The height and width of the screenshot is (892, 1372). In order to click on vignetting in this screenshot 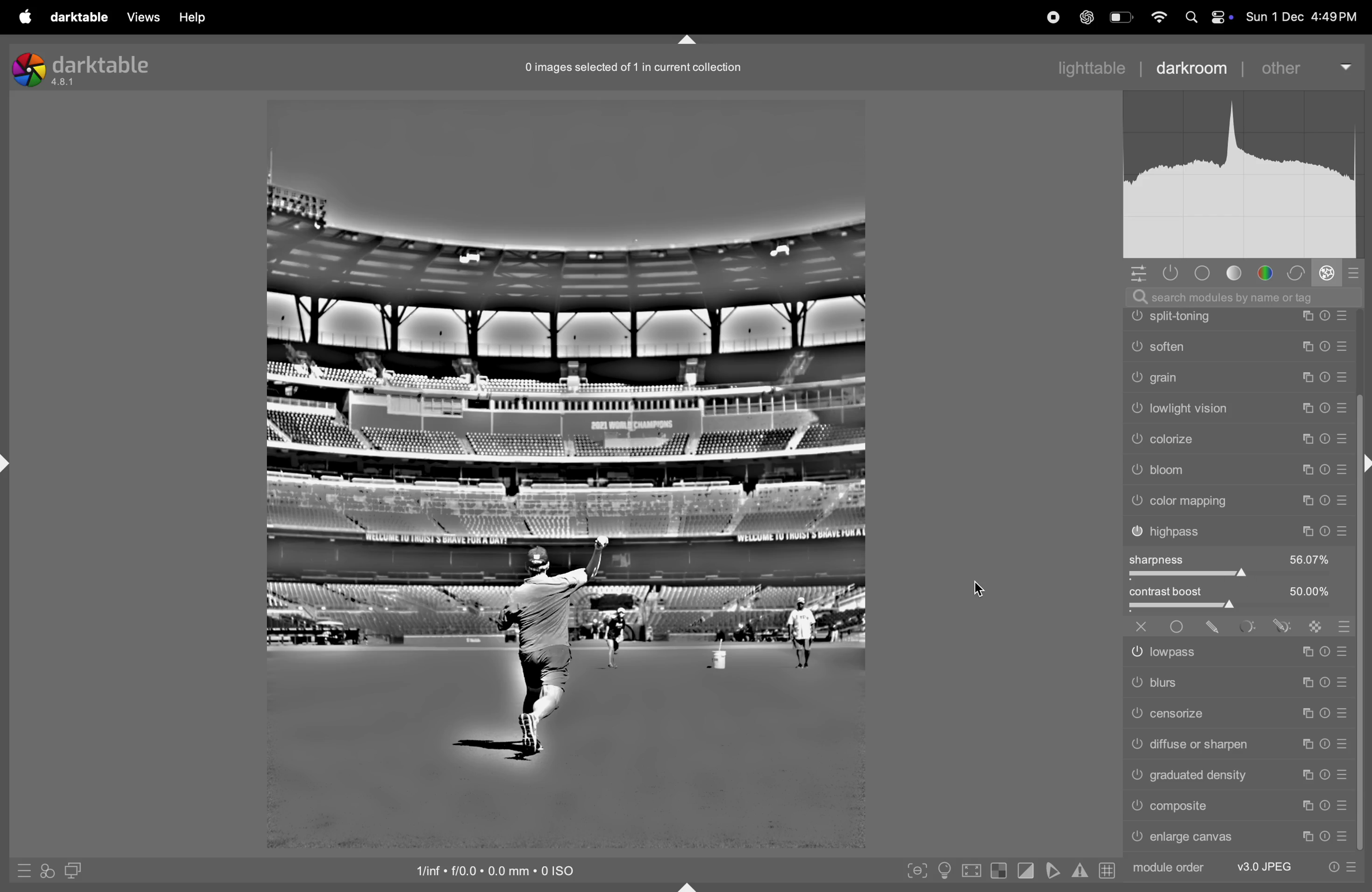, I will do `click(1238, 376)`.